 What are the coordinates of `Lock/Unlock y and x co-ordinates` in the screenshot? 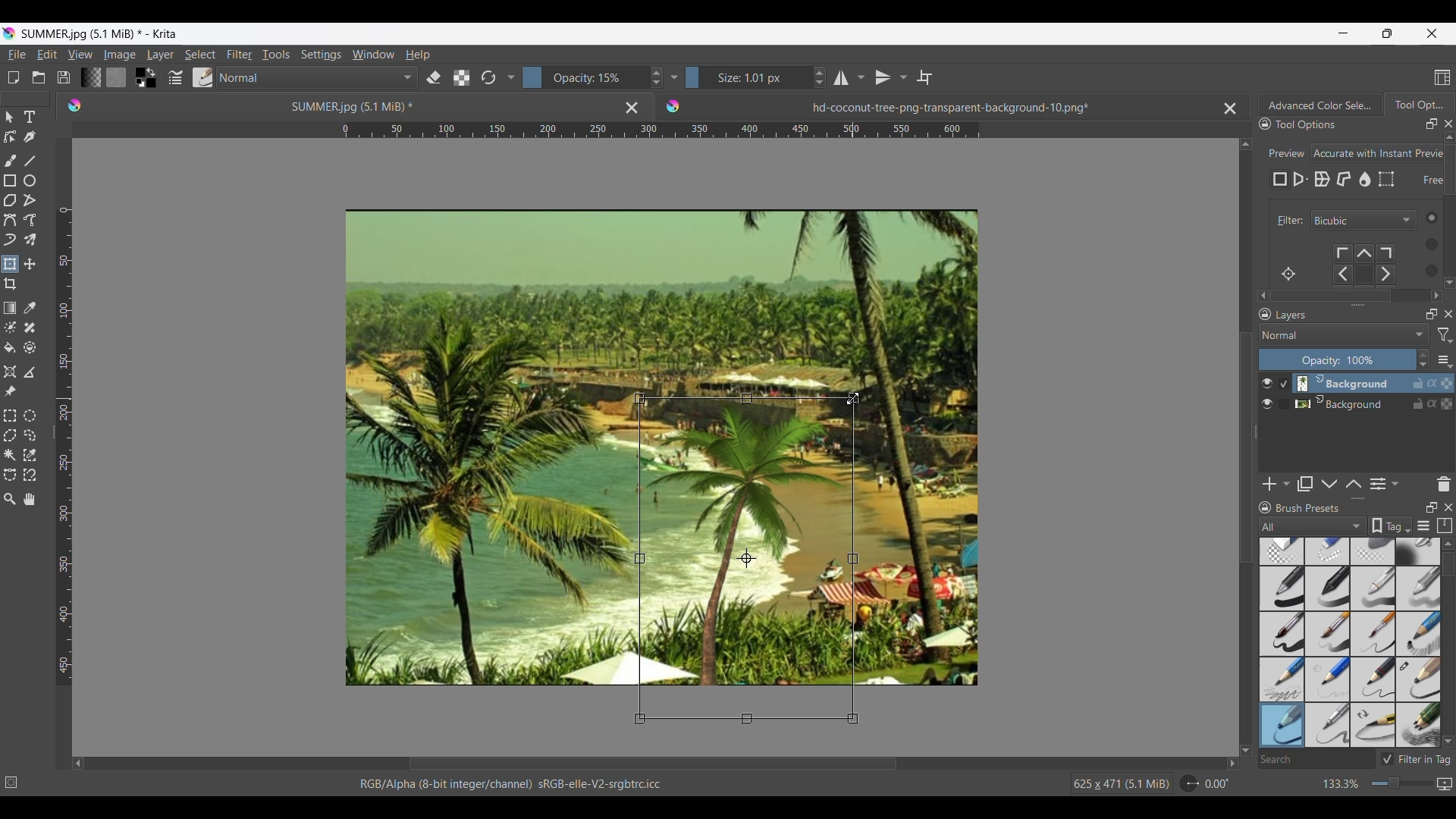 It's located at (1423, 190).